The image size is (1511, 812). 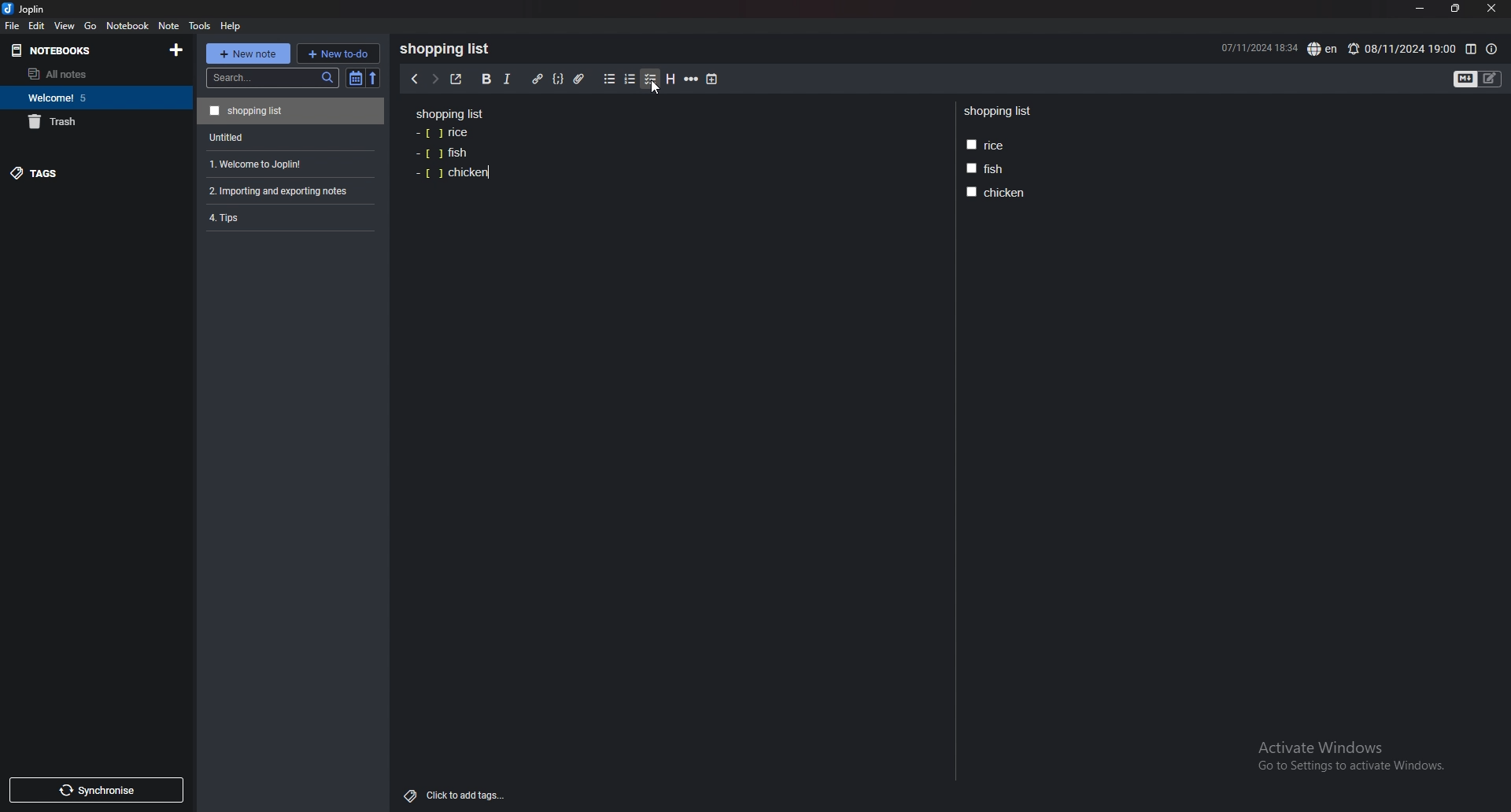 I want to click on code, so click(x=558, y=79).